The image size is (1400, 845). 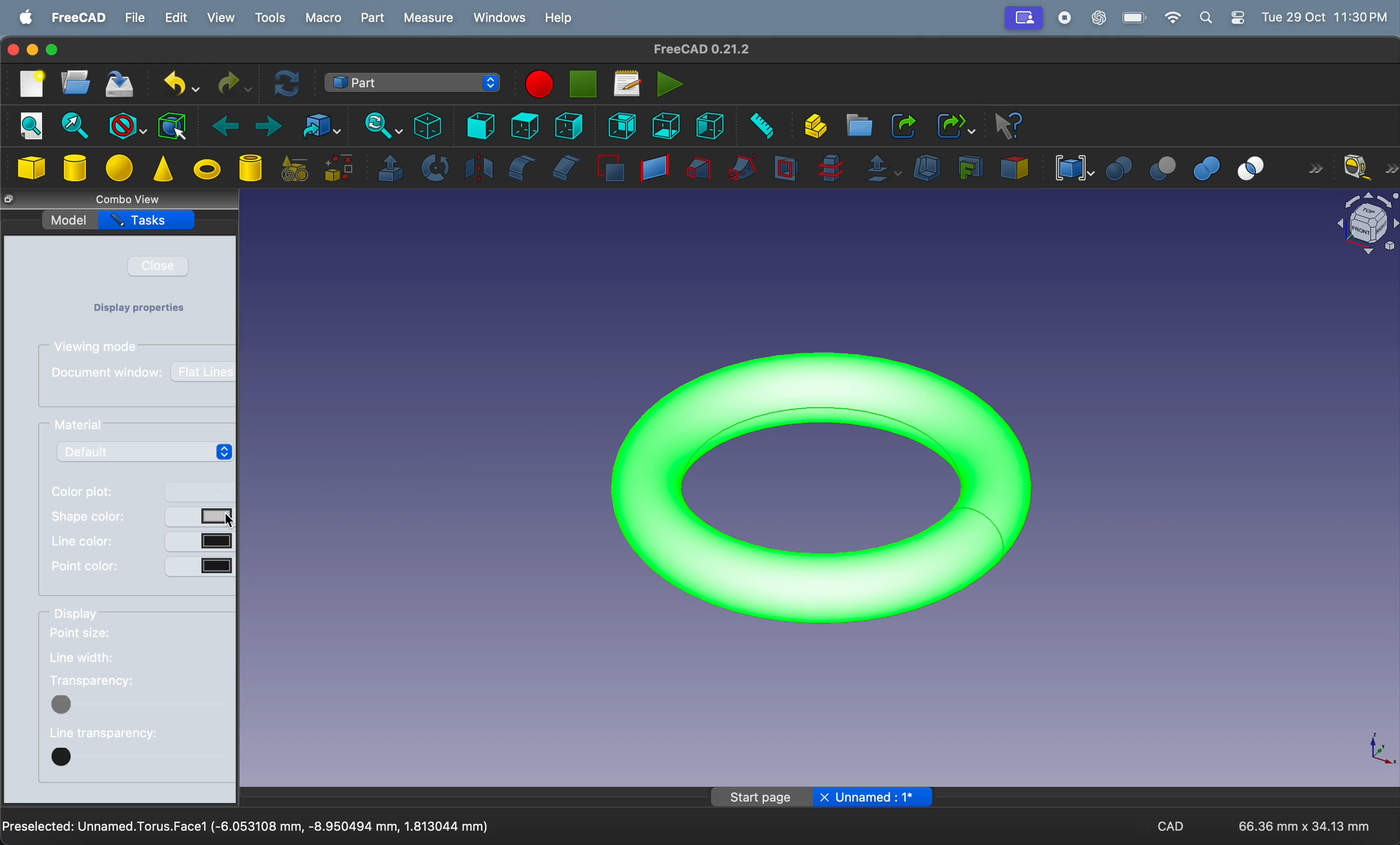 I want to click on cone, so click(x=163, y=170).